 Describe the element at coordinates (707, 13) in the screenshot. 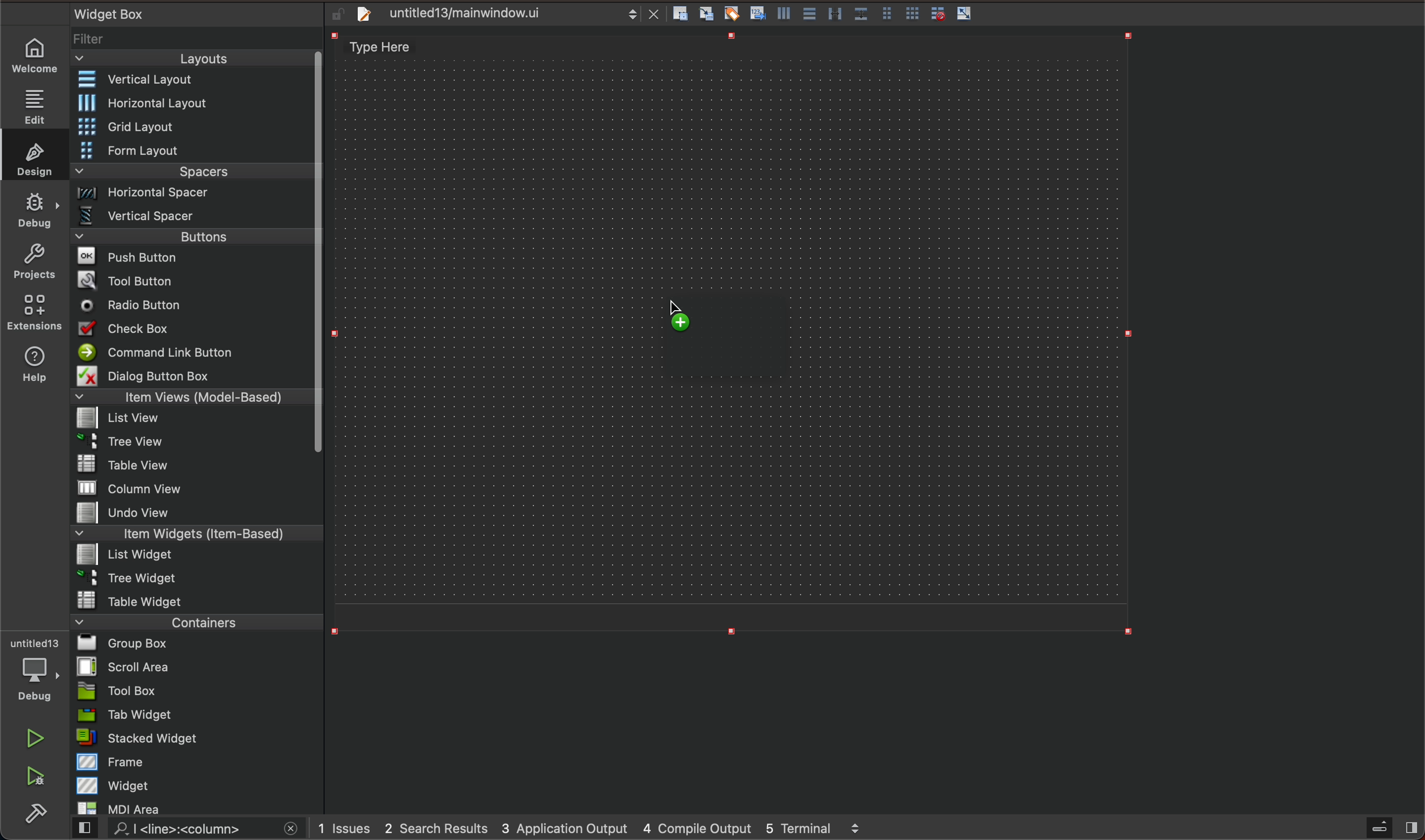

I see `` at that location.